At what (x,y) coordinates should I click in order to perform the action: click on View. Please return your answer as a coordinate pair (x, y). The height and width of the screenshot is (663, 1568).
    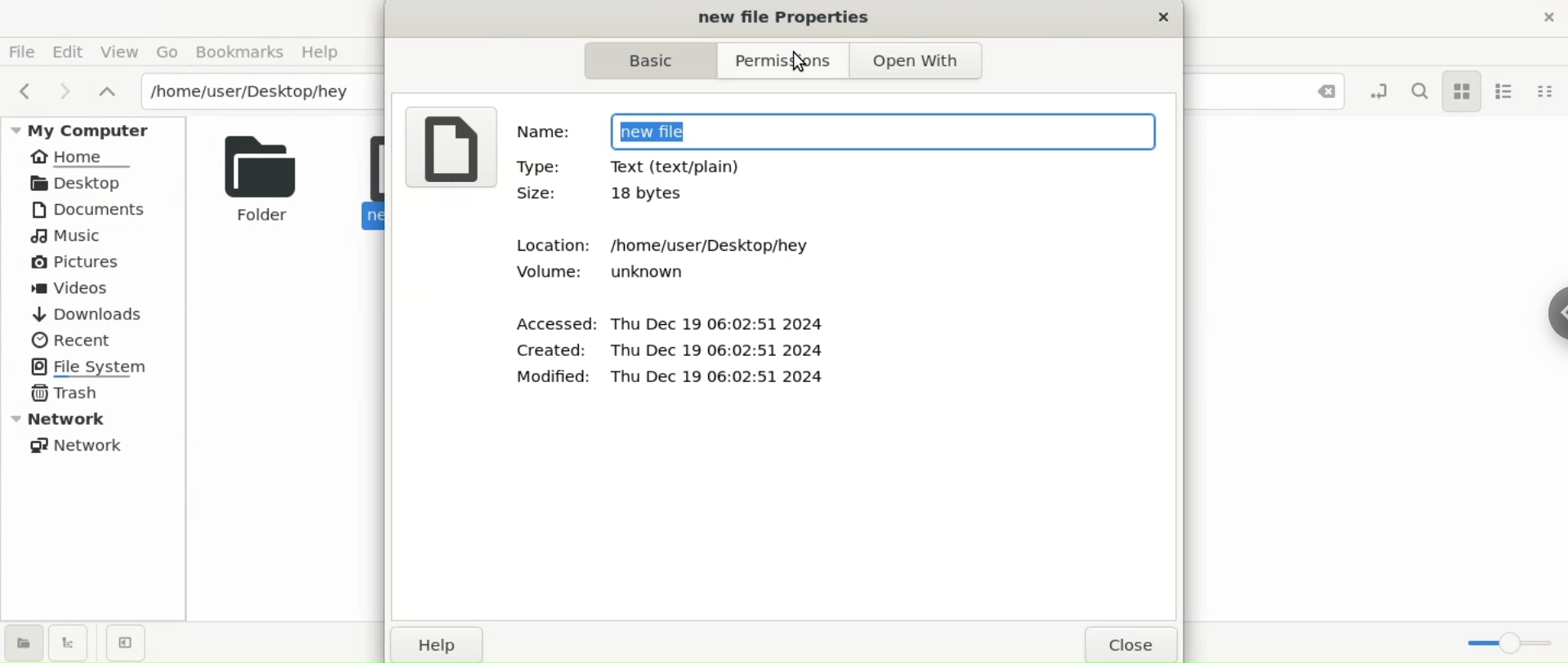
    Looking at the image, I should click on (122, 54).